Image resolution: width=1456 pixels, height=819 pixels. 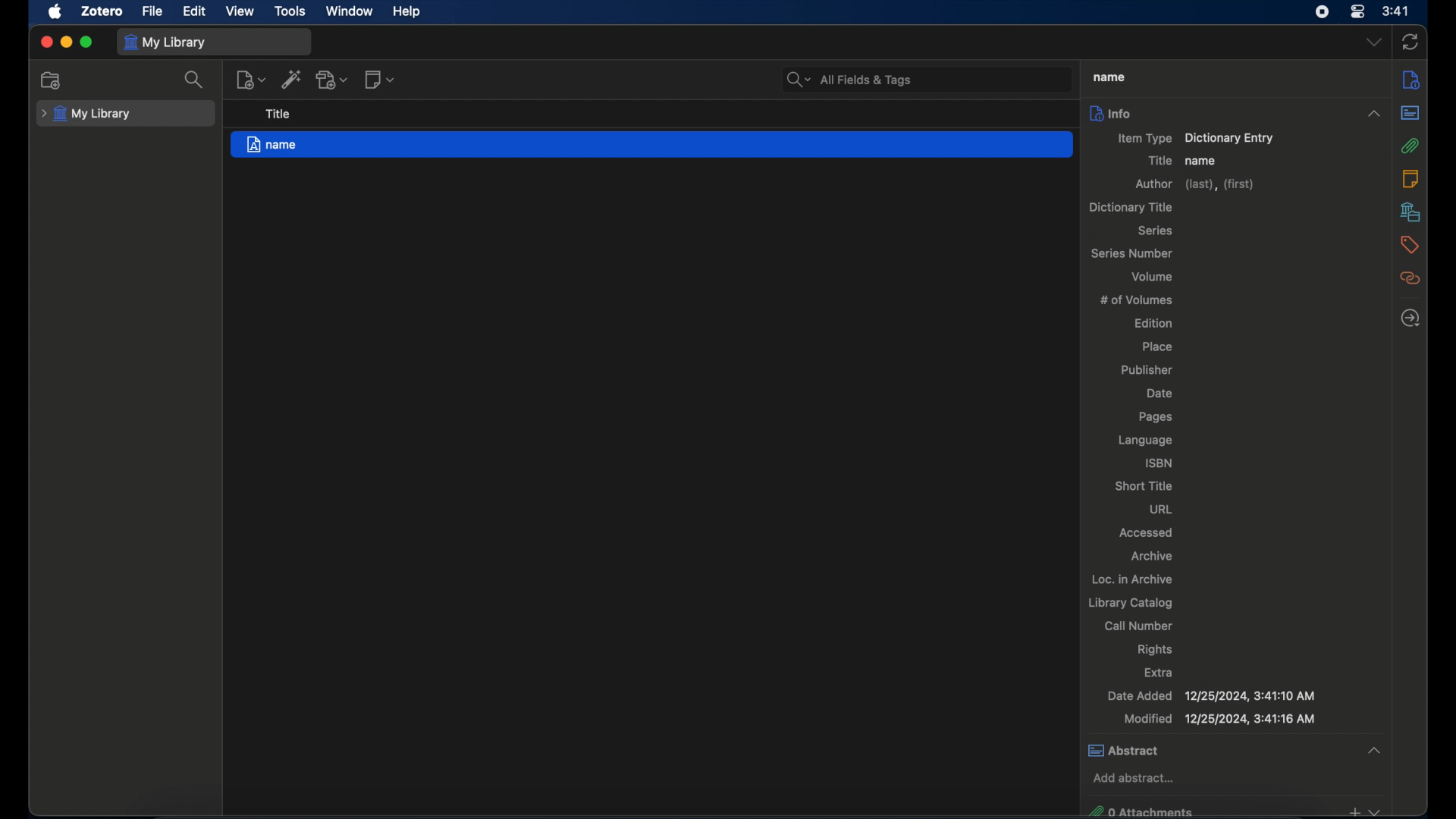 What do you see at coordinates (651, 144) in the screenshot?
I see `name` at bounding box center [651, 144].